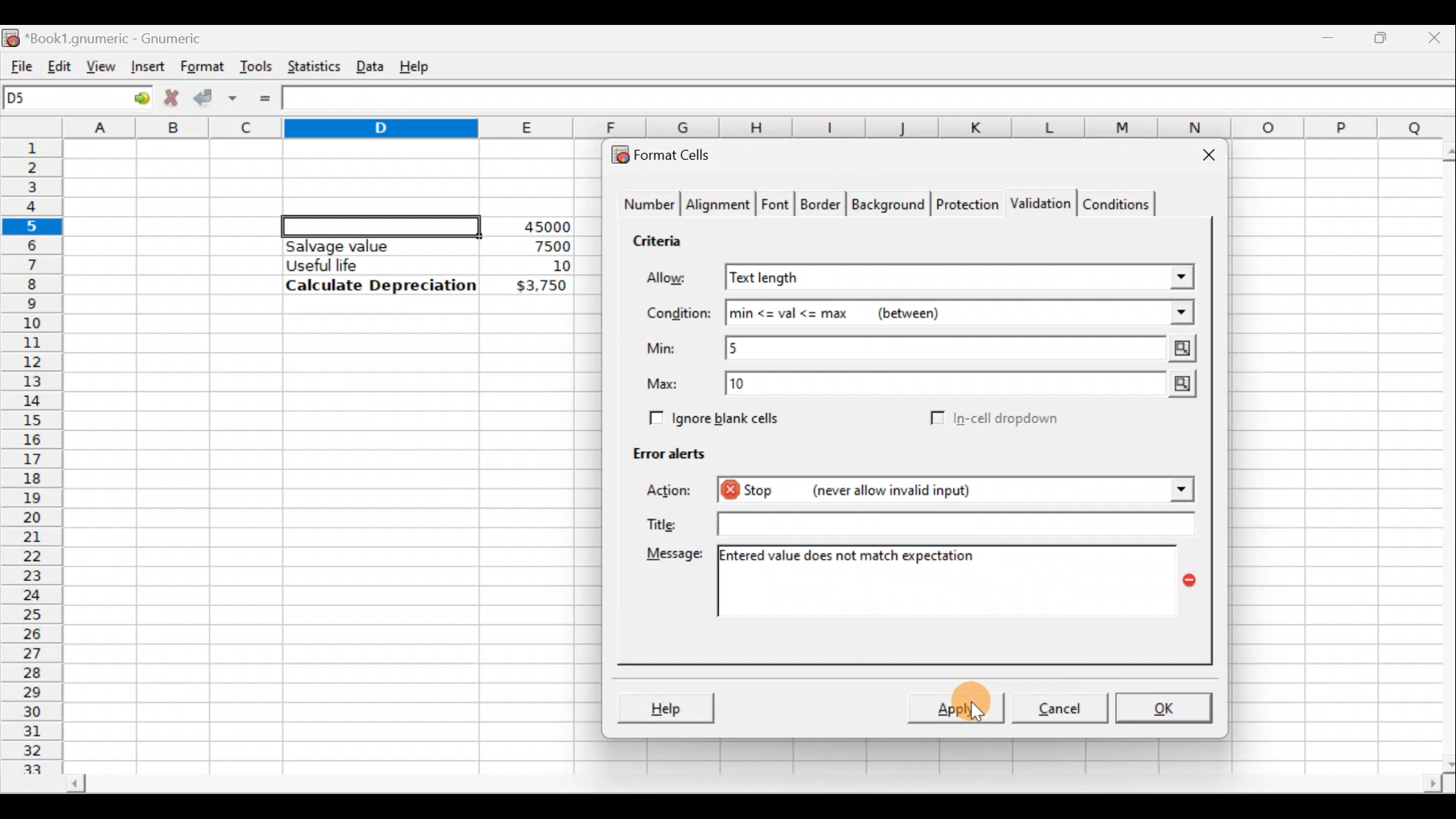 The height and width of the screenshot is (819, 1456). I want to click on Close, so click(1437, 36).